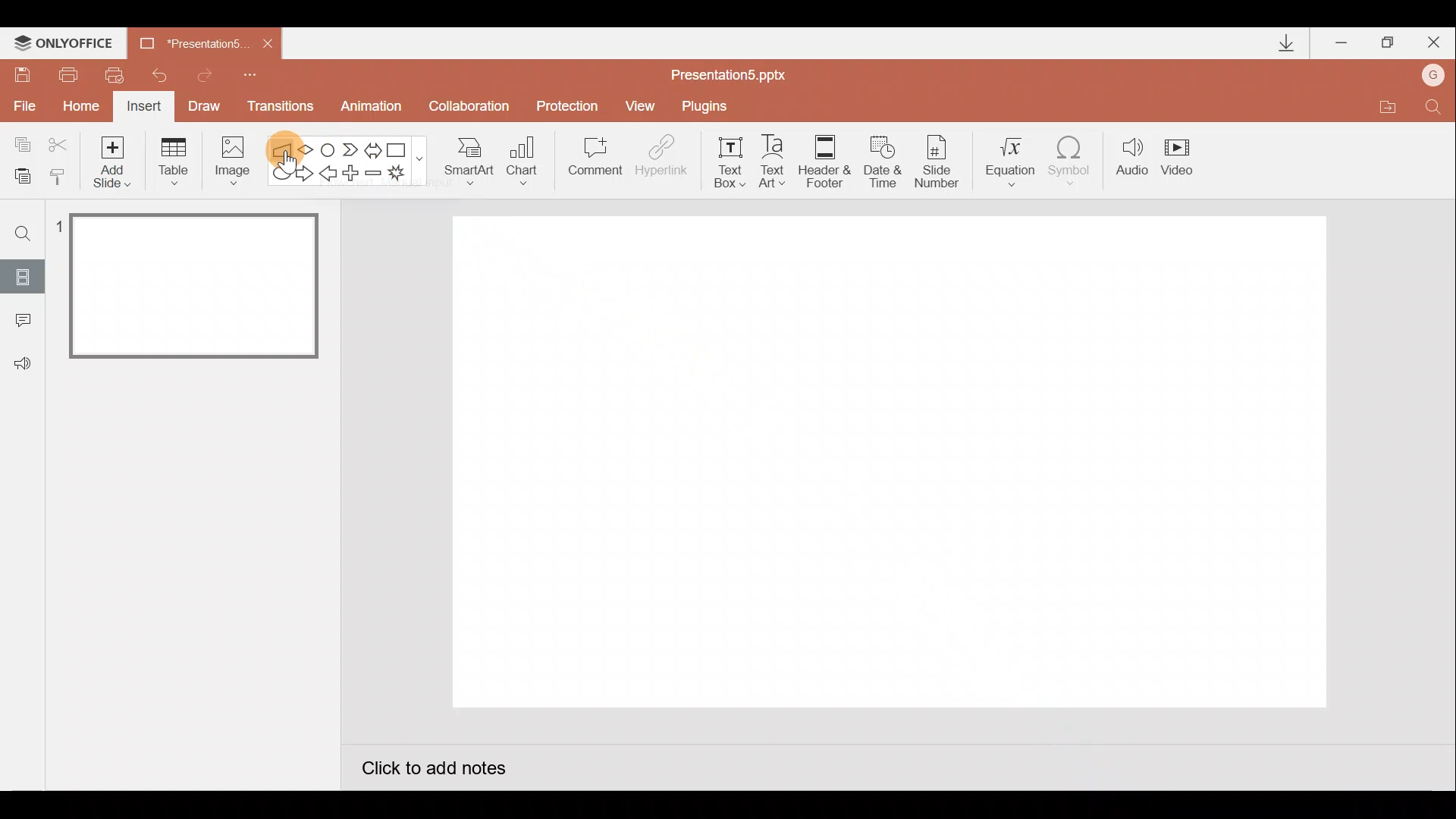  What do you see at coordinates (205, 105) in the screenshot?
I see `Draw` at bounding box center [205, 105].